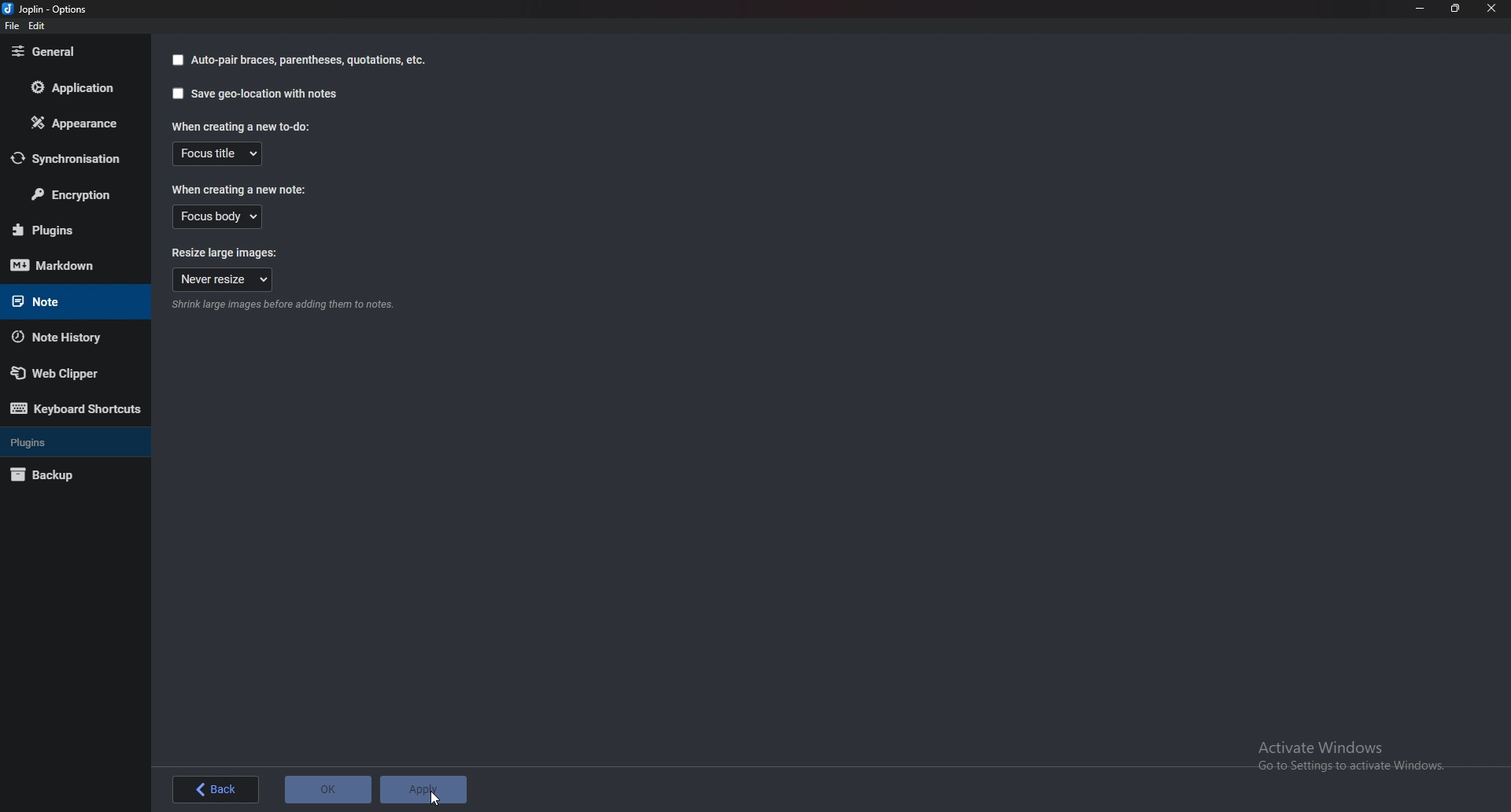 The width and height of the screenshot is (1511, 812). Describe the element at coordinates (310, 60) in the screenshot. I see `Autopair braces parenthesis quotation Etcetera` at that location.